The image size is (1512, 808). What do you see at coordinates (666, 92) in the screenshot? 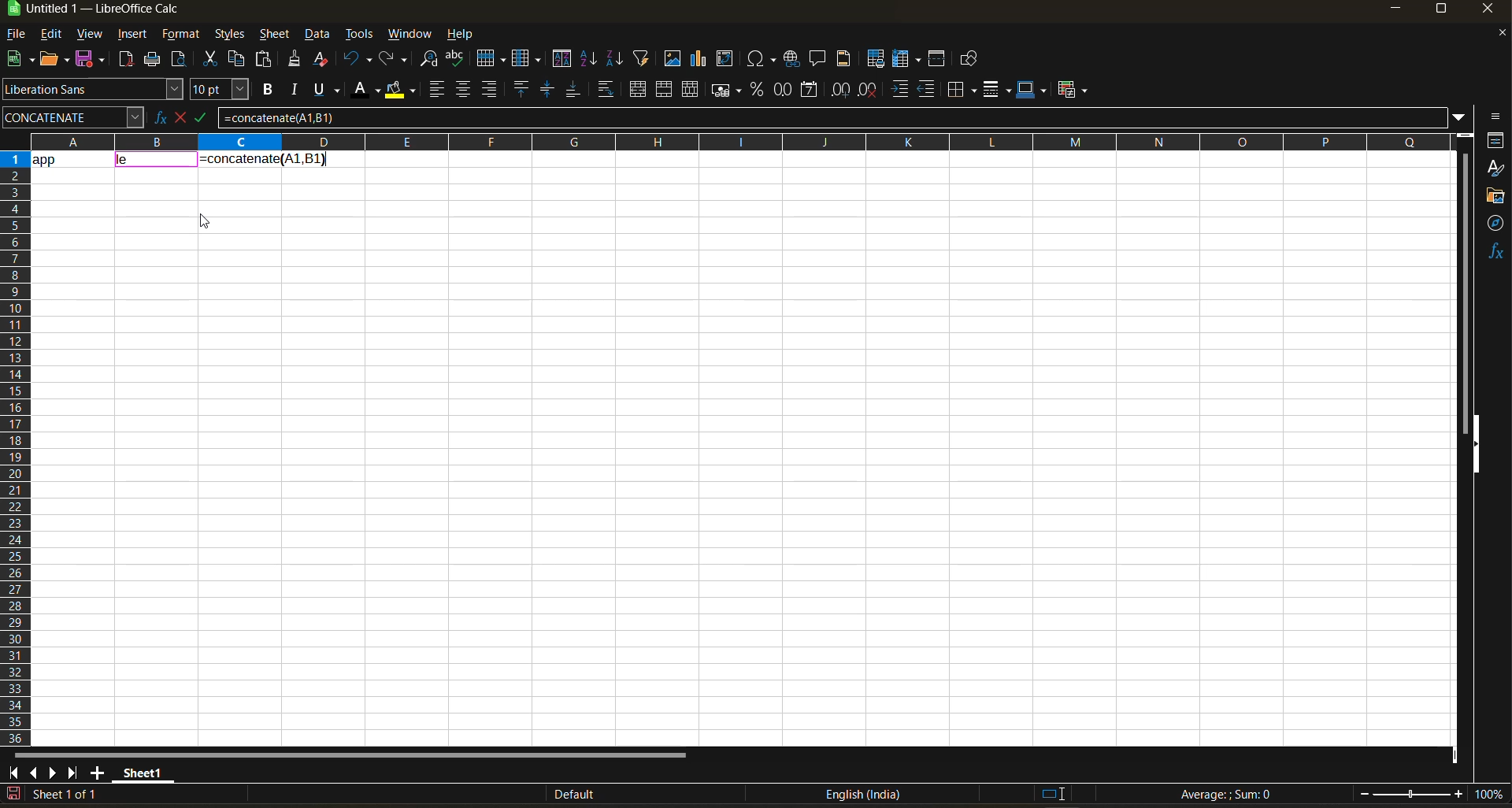
I see `merge cells` at bounding box center [666, 92].